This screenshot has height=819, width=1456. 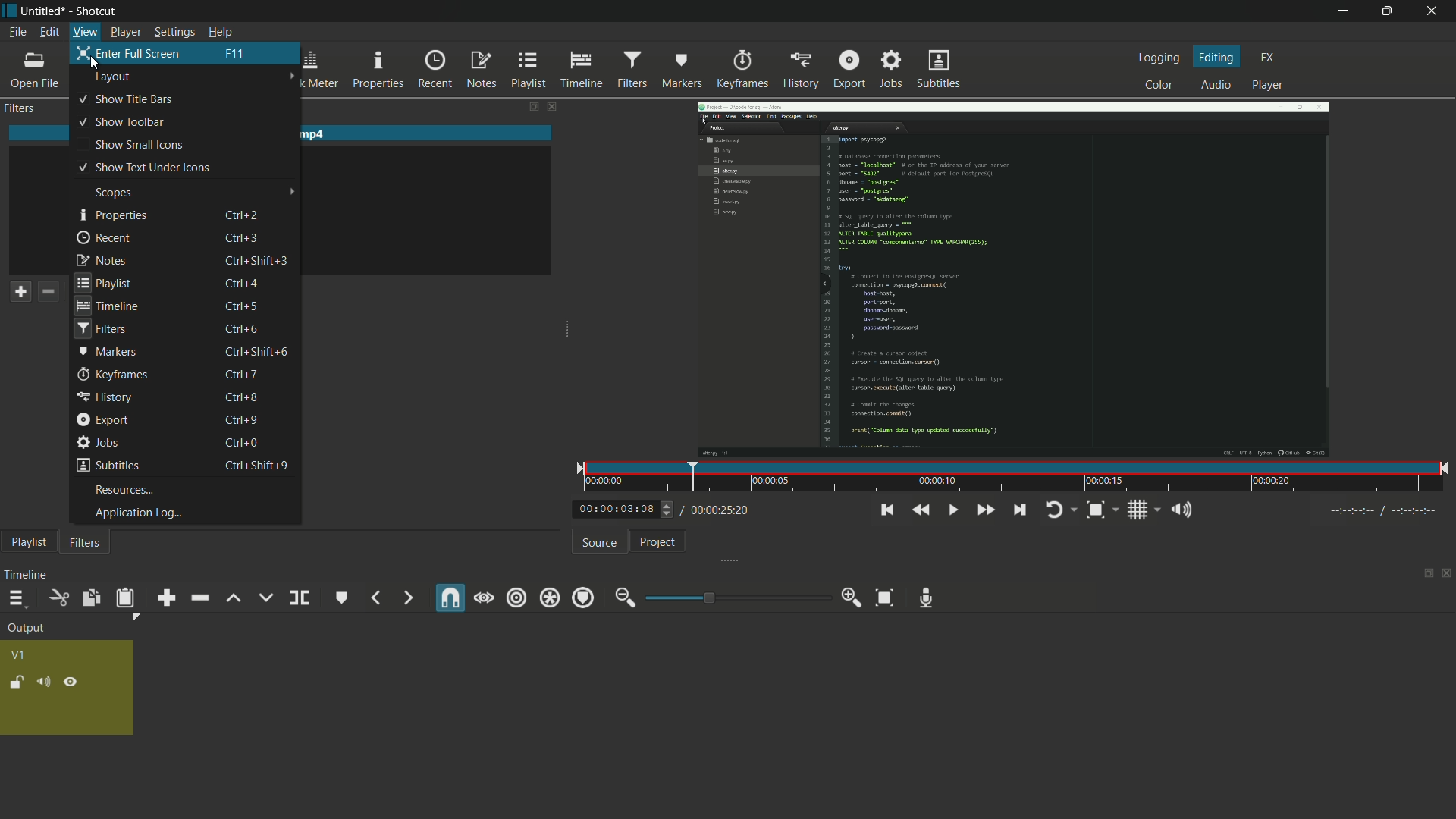 I want to click on time, so click(x=1009, y=479).